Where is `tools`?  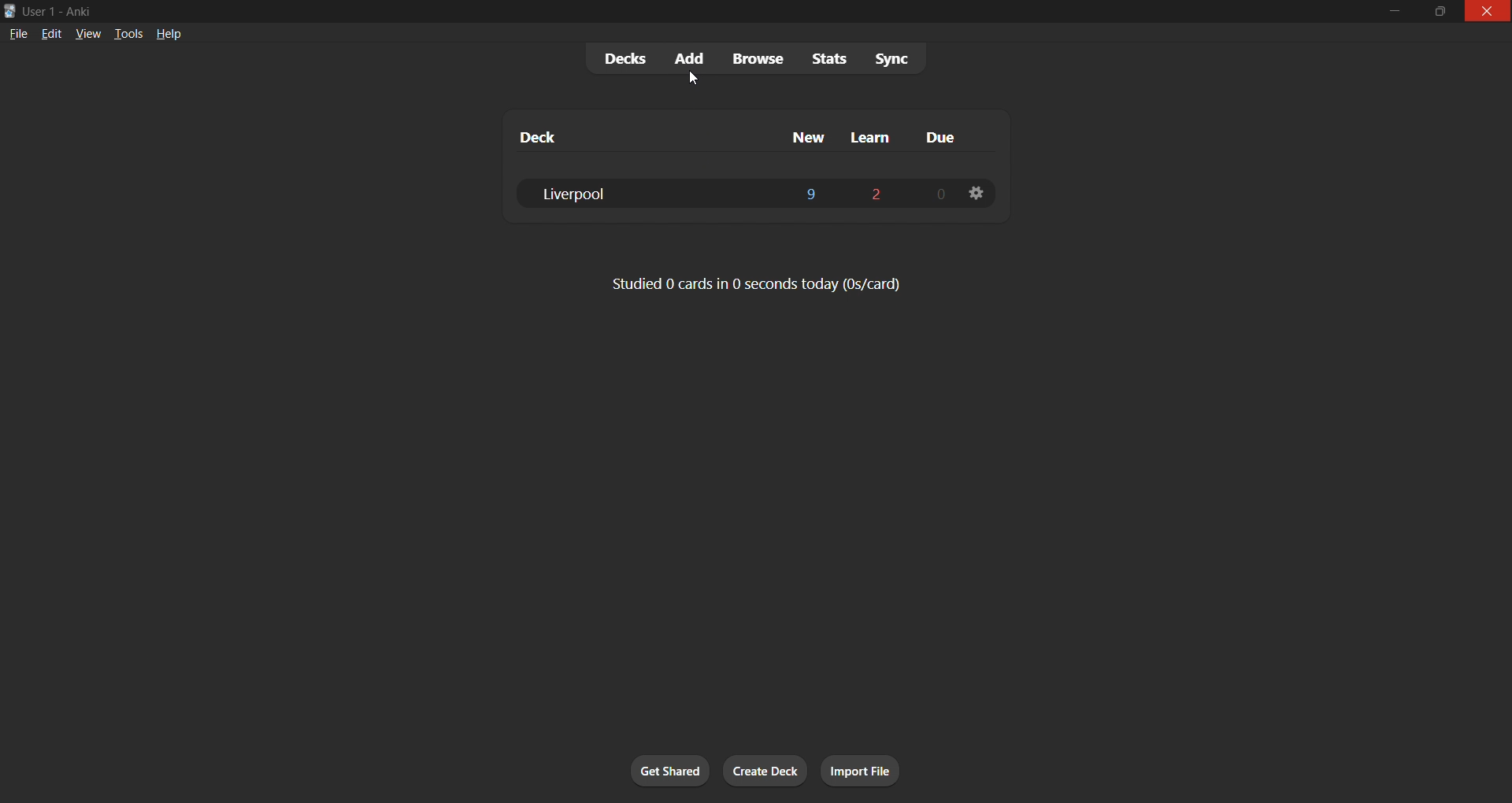 tools is located at coordinates (128, 35).